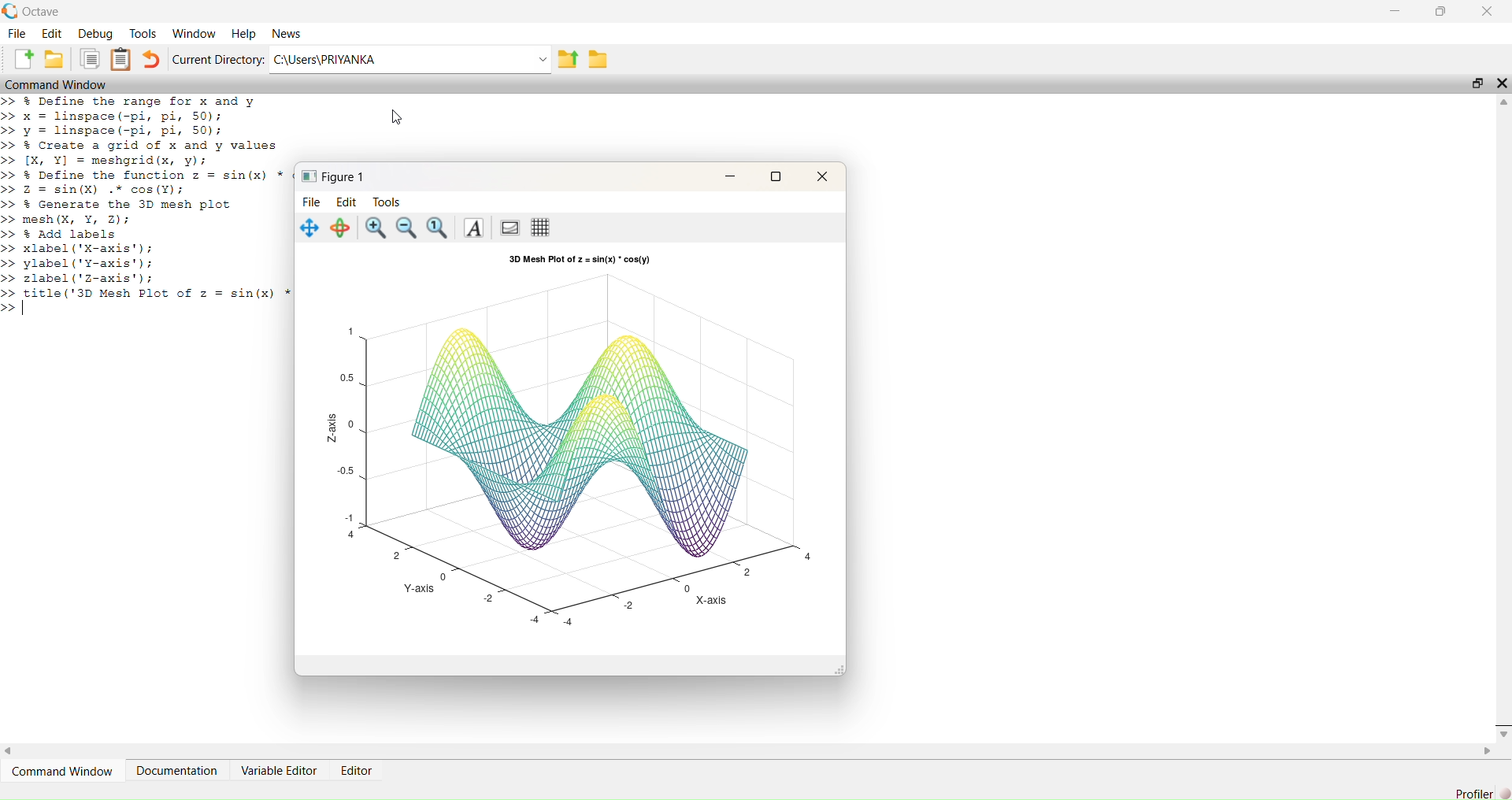  What do you see at coordinates (580, 259) in the screenshot?
I see `3D Mesh Plot of z = sin(x) * cos(y)` at bounding box center [580, 259].